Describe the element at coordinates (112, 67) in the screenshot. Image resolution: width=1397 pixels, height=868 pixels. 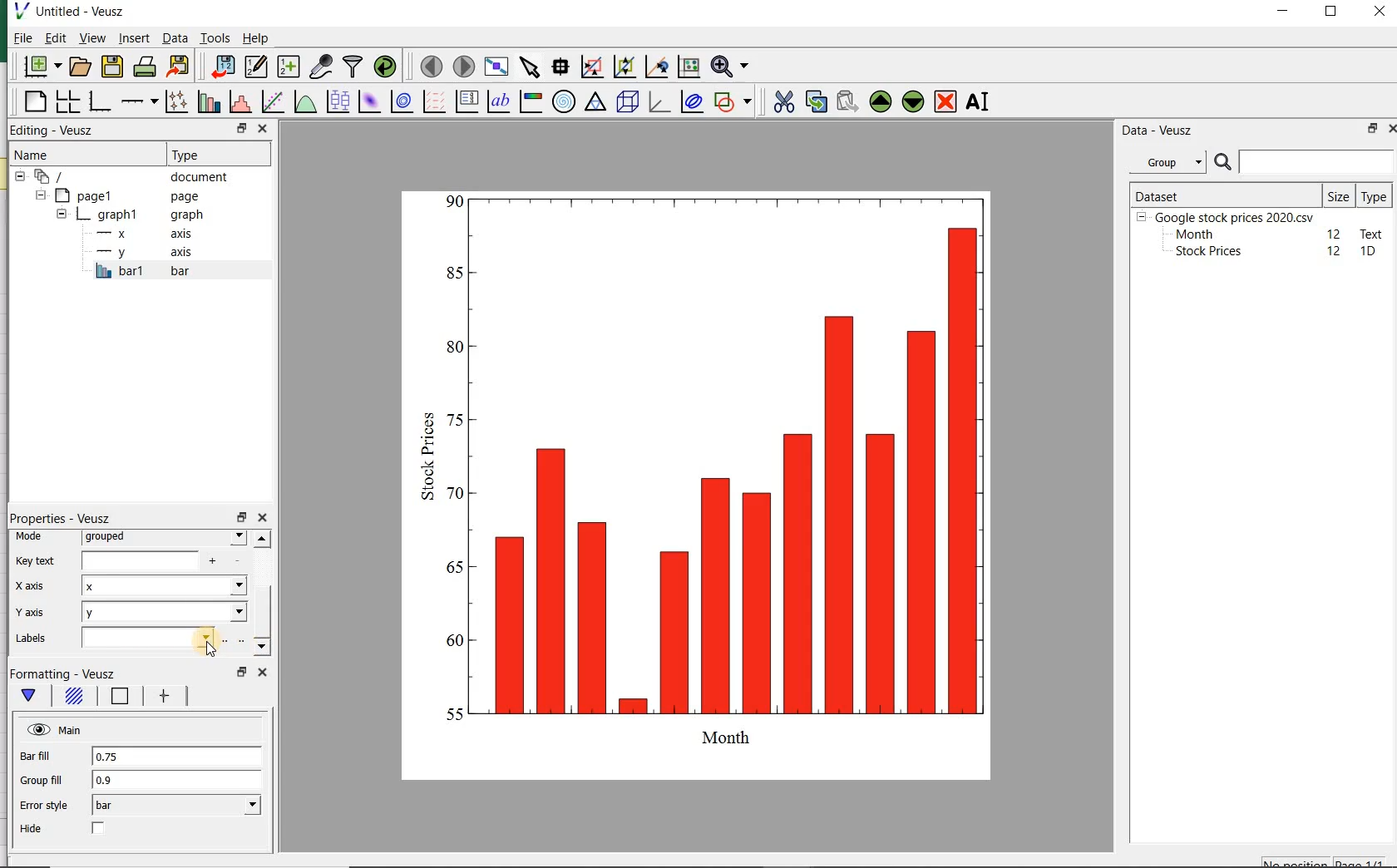
I see `save the document` at that location.